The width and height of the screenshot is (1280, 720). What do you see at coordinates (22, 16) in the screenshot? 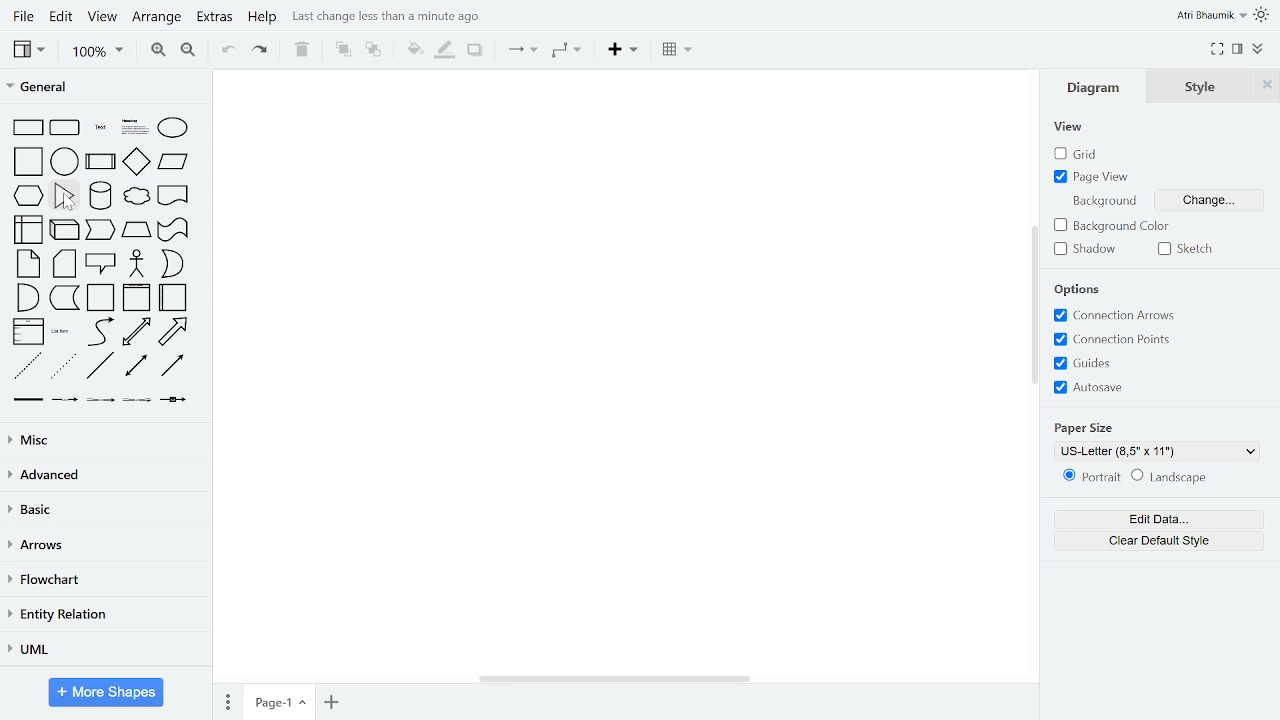
I see `file` at bounding box center [22, 16].